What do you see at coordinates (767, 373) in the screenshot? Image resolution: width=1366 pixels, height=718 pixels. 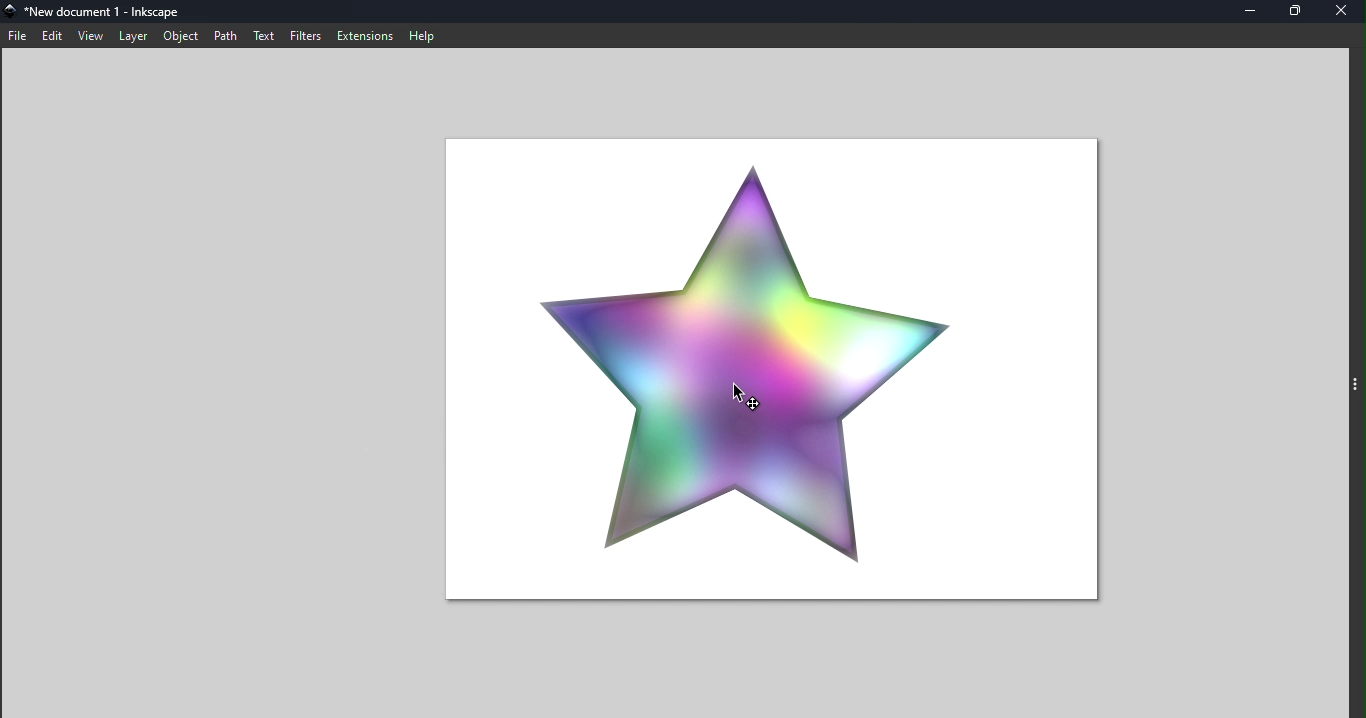 I see `Canvas` at bounding box center [767, 373].